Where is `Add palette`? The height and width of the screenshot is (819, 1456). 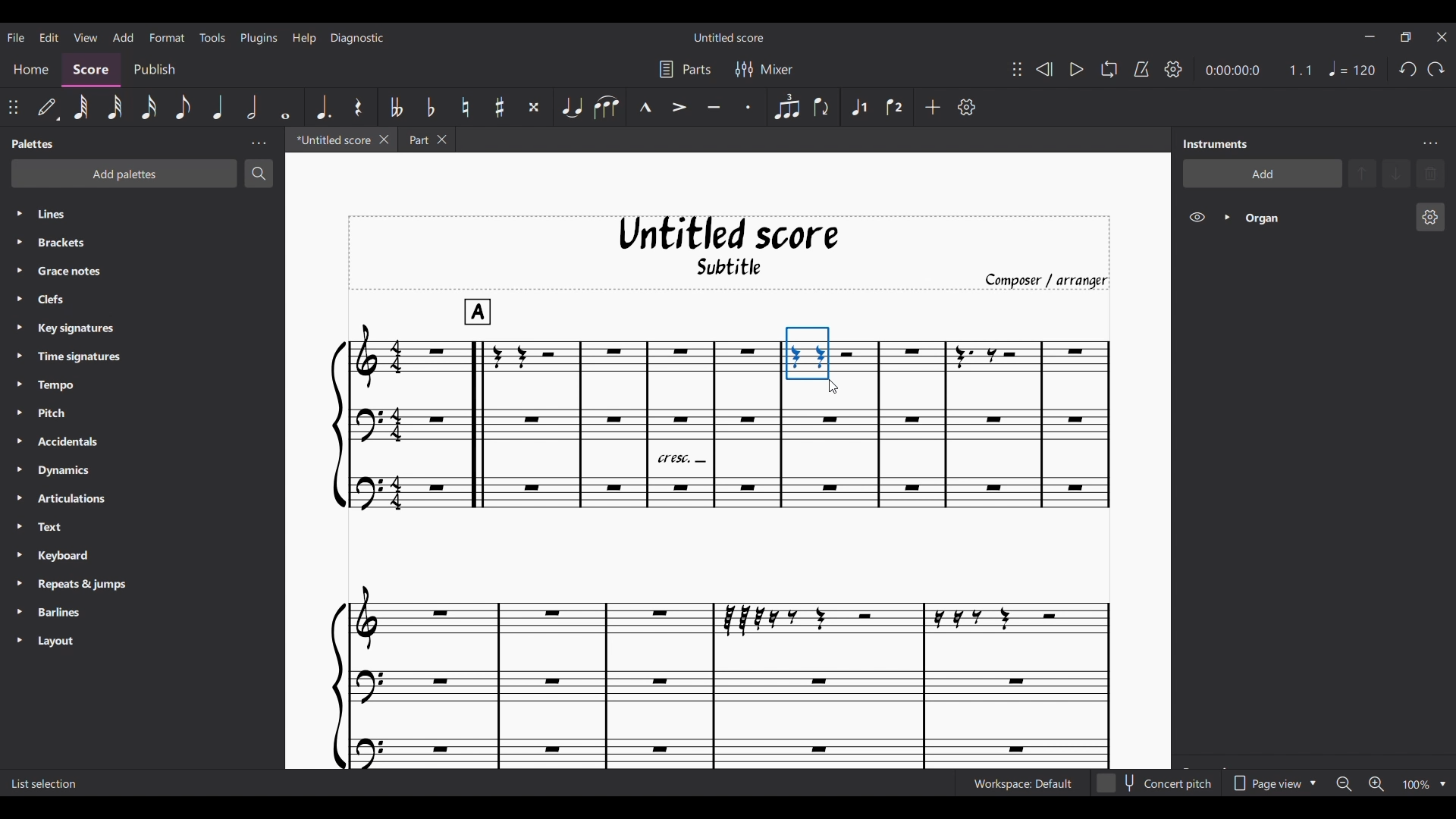
Add palette is located at coordinates (124, 174).